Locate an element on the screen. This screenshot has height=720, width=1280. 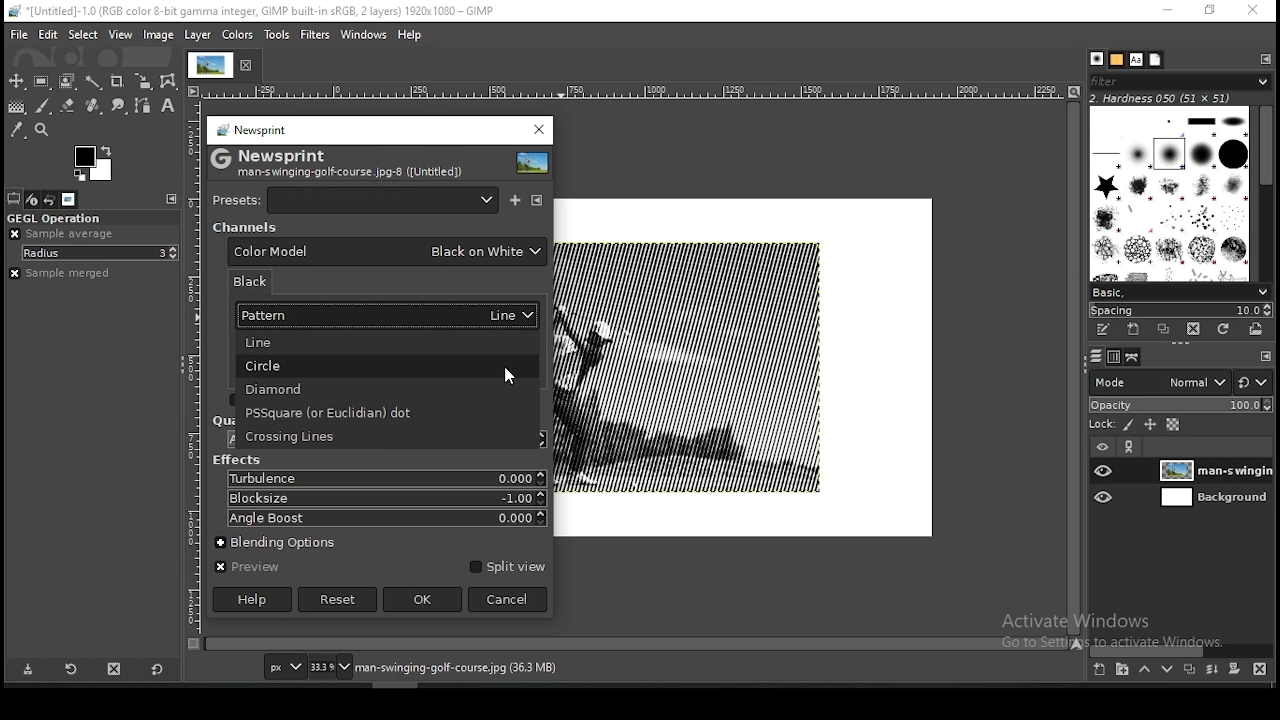
layer on/off is located at coordinates (1103, 445).